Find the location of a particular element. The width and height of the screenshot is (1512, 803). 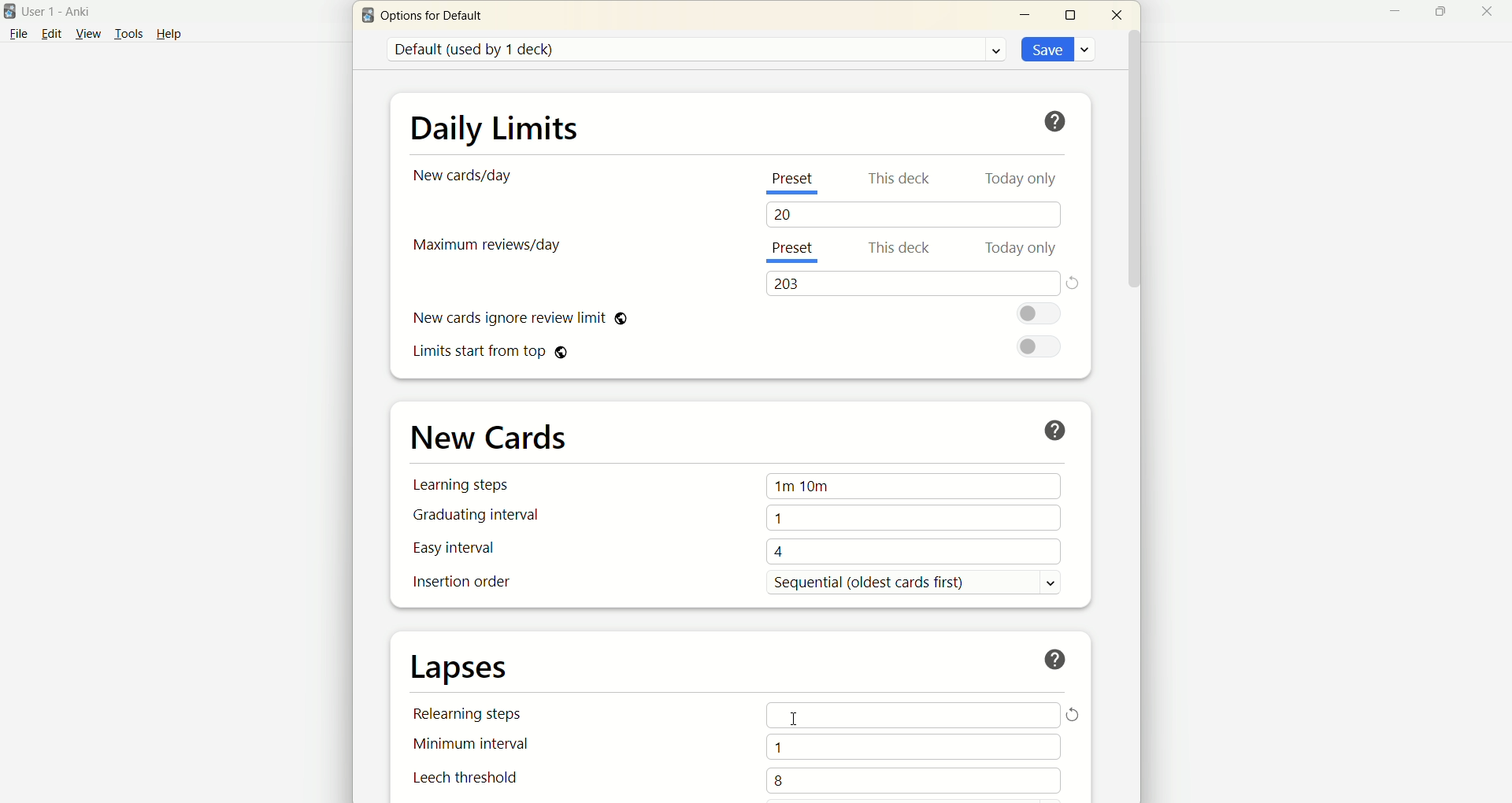

 is located at coordinates (912, 716).